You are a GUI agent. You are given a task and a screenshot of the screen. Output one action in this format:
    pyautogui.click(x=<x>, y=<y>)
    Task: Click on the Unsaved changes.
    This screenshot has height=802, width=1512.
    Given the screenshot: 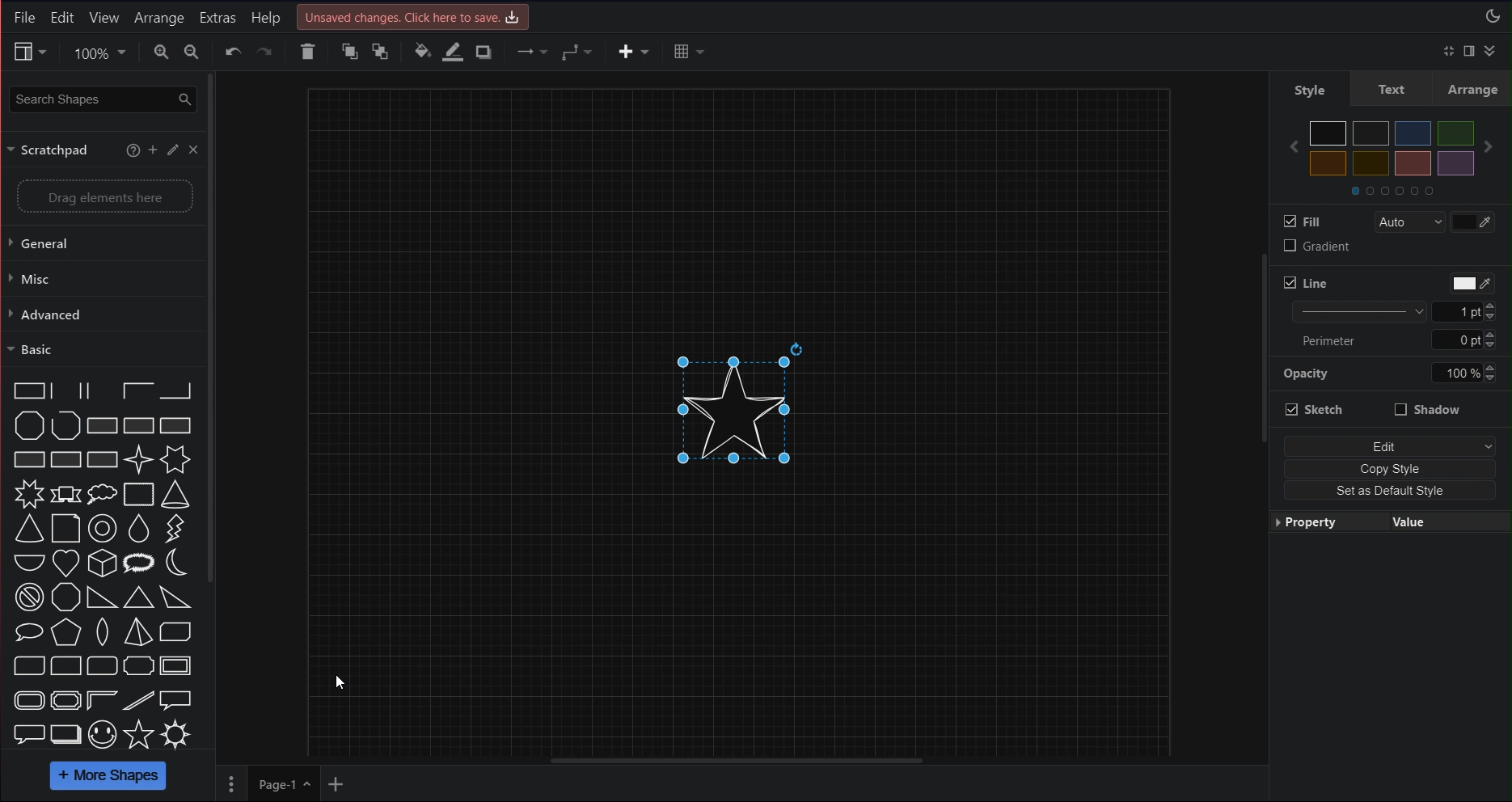 What is the action you would take?
    pyautogui.click(x=414, y=17)
    